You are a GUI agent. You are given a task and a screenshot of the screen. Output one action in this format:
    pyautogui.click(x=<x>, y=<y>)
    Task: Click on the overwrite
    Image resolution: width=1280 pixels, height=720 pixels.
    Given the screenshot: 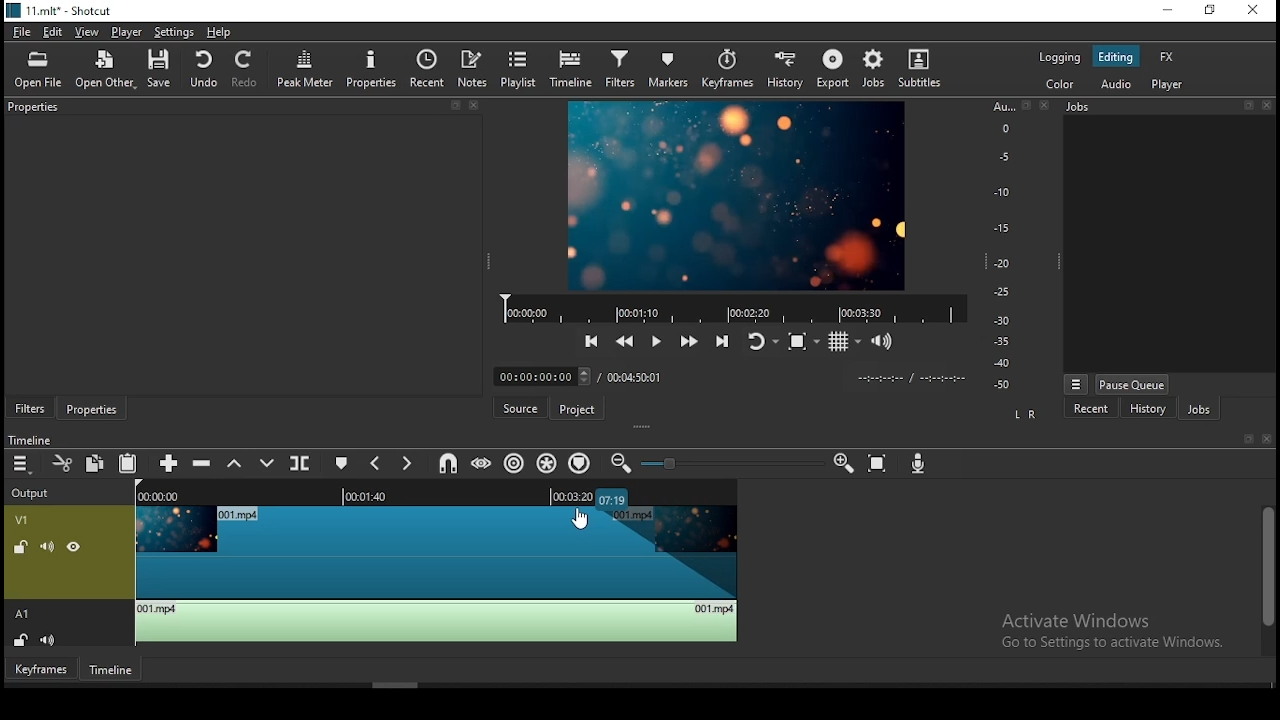 What is the action you would take?
    pyautogui.click(x=267, y=462)
    